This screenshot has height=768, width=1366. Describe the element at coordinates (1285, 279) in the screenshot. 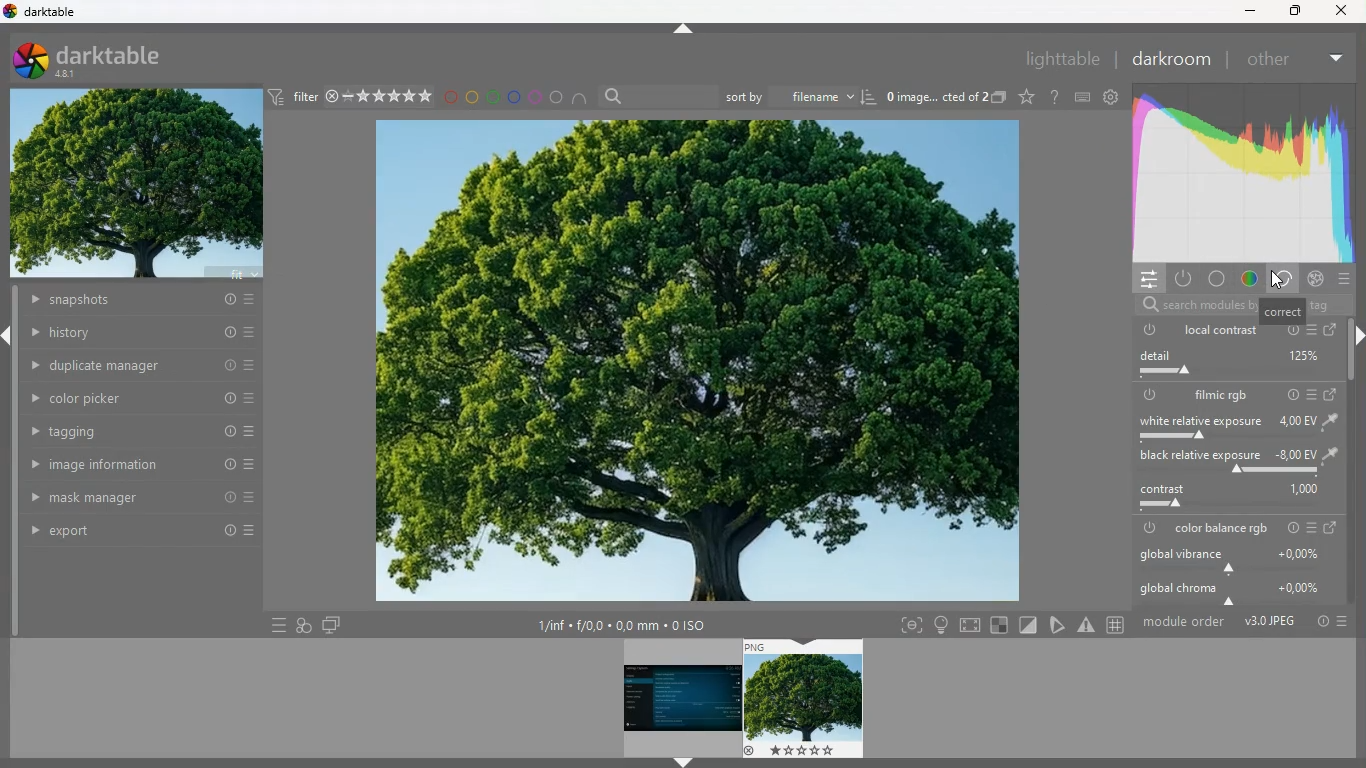

I see `correc` at that location.